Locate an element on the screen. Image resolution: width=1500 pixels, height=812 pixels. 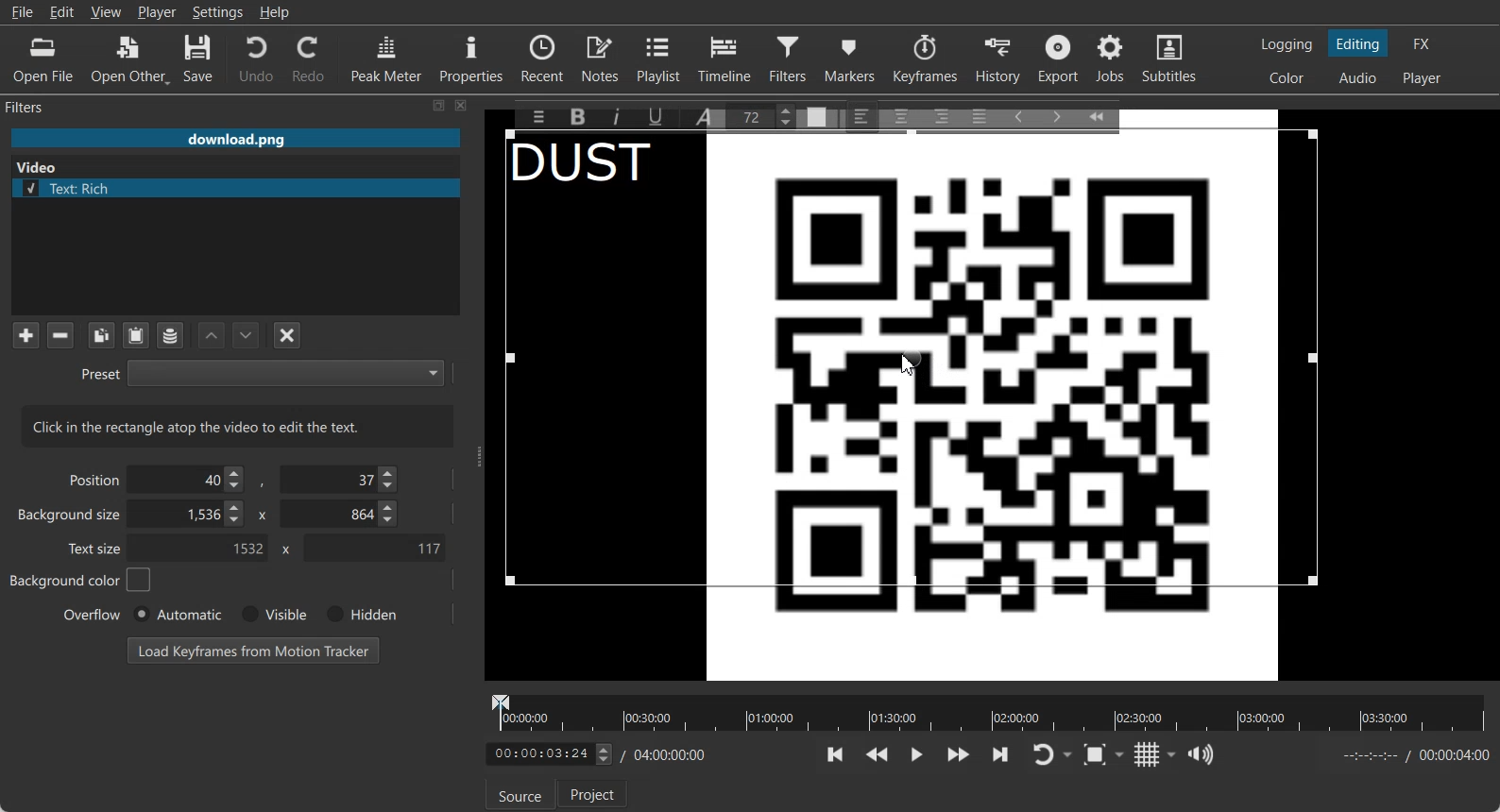
Deselect the filter is located at coordinates (288, 335).